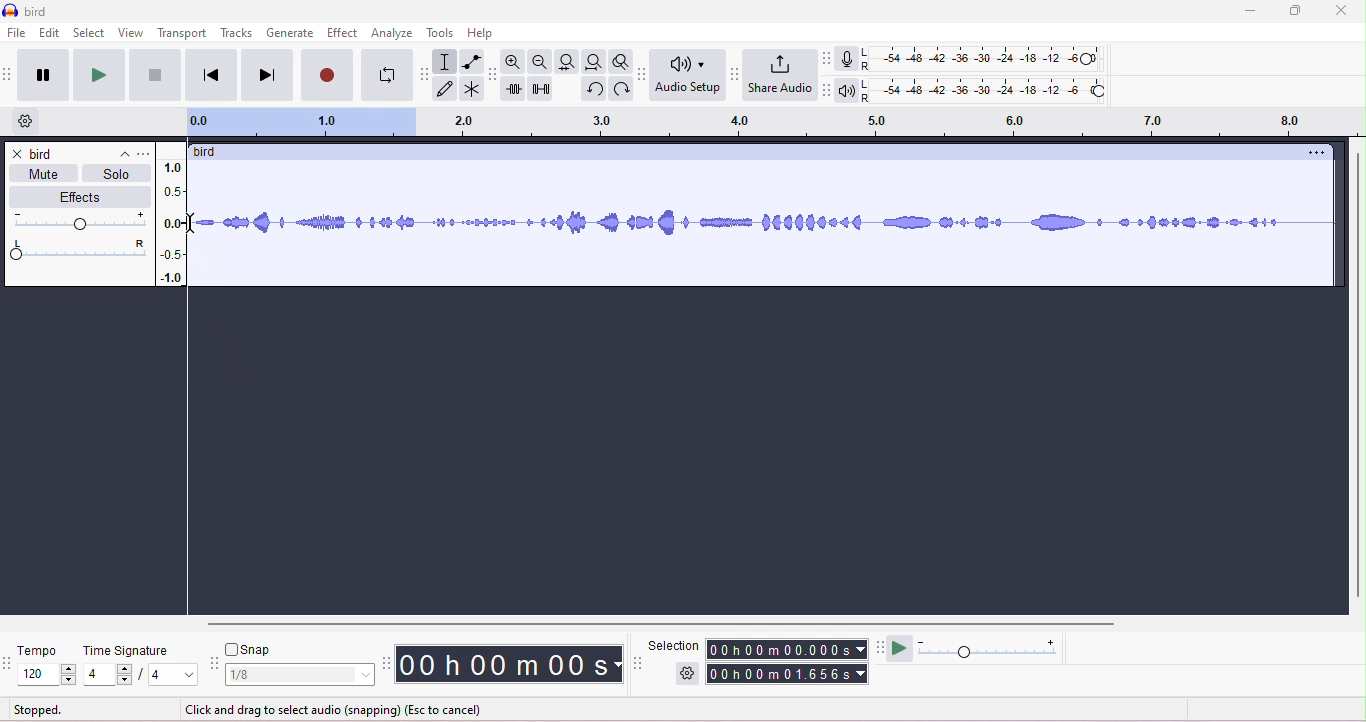 Image resolution: width=1366 pixels, height=722 pixels. What do you see at coordinates (784, 674) in the screenshot?
I see `00h 00m01.656s (end time) ` at bounding box center [784, 674].